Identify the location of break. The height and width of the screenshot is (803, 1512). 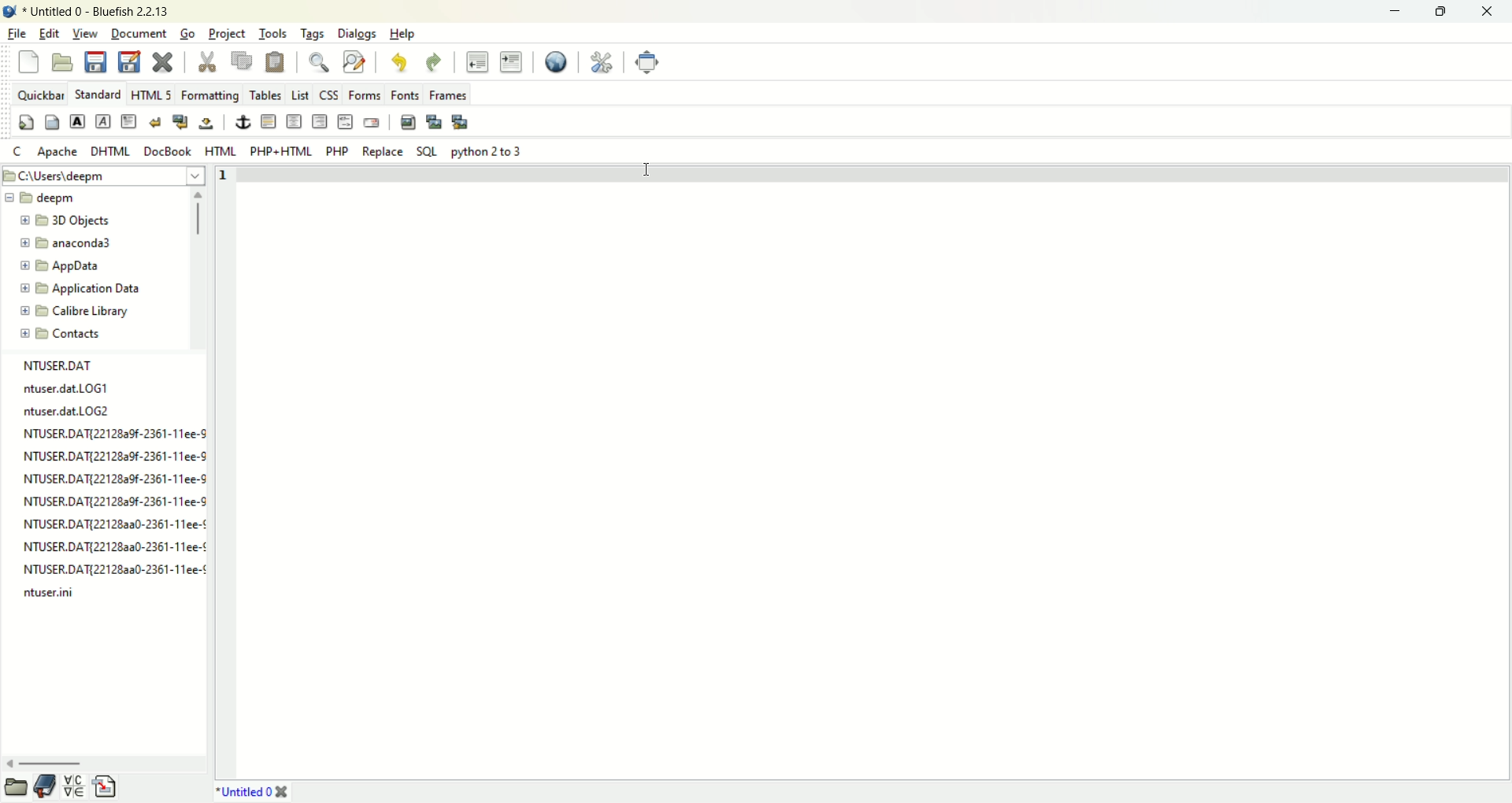
(154, 123).